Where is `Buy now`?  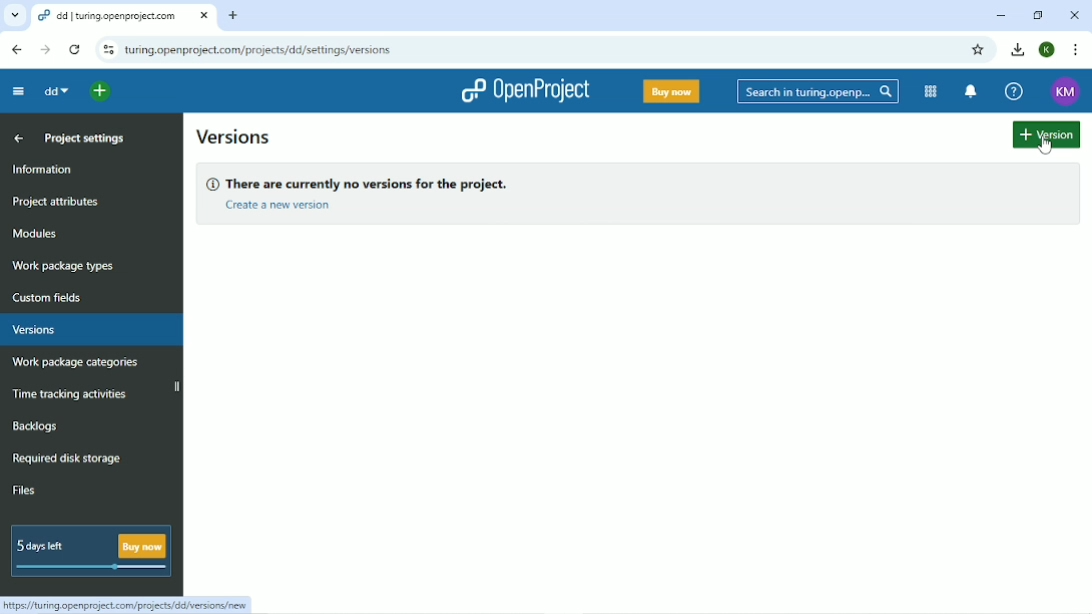 Buy now is located at coordinates (673, 91).